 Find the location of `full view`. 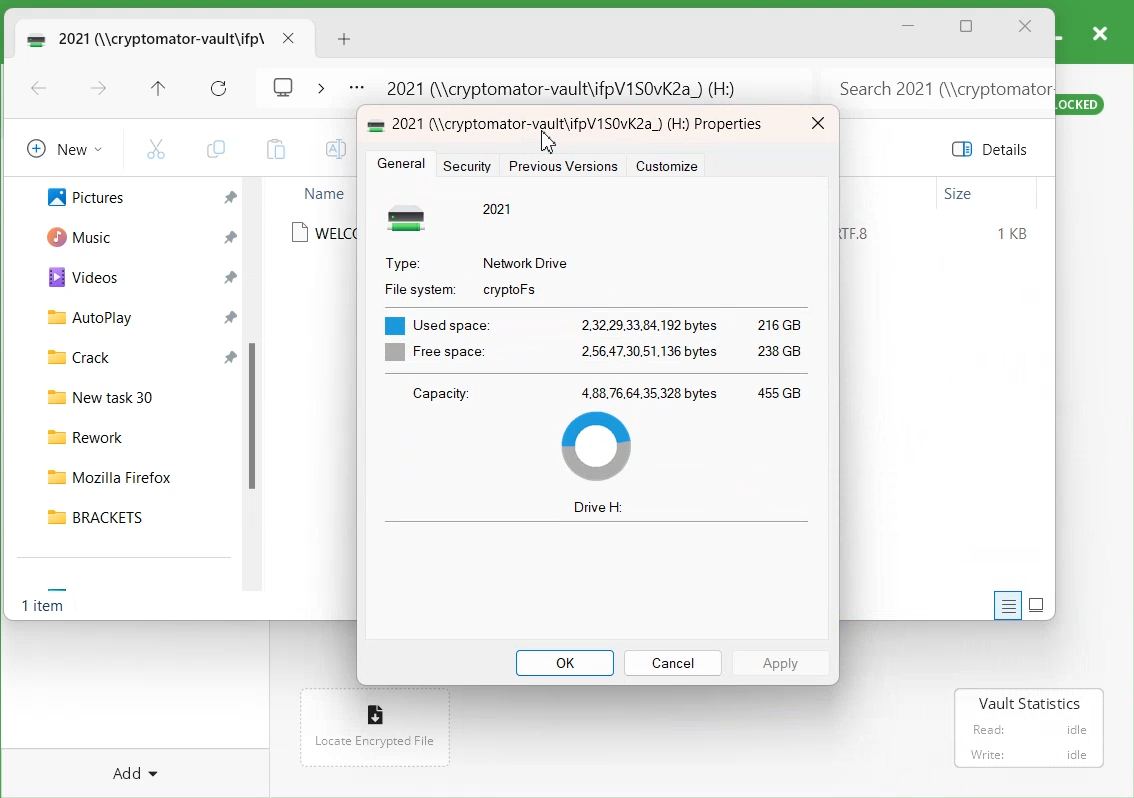

full view is located at coordinates (1037, 604).